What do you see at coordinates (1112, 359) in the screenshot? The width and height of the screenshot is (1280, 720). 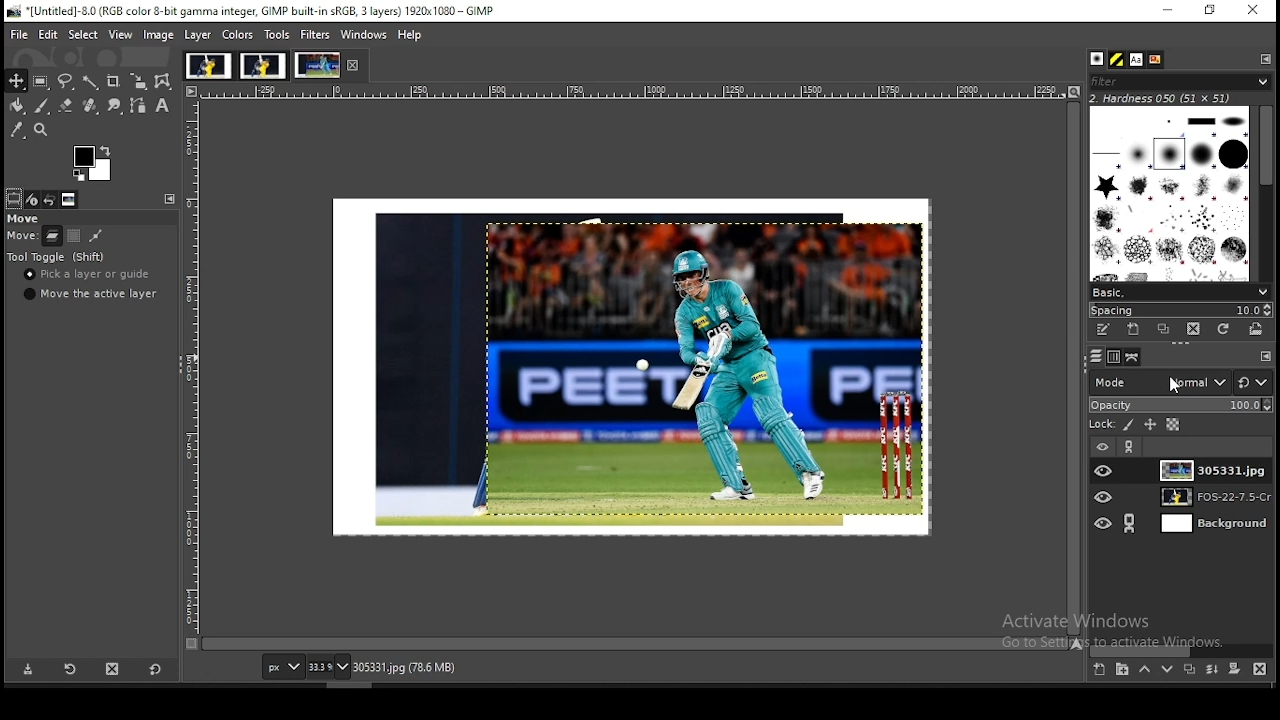 I see `channels` at bounding box center [1112, 359].